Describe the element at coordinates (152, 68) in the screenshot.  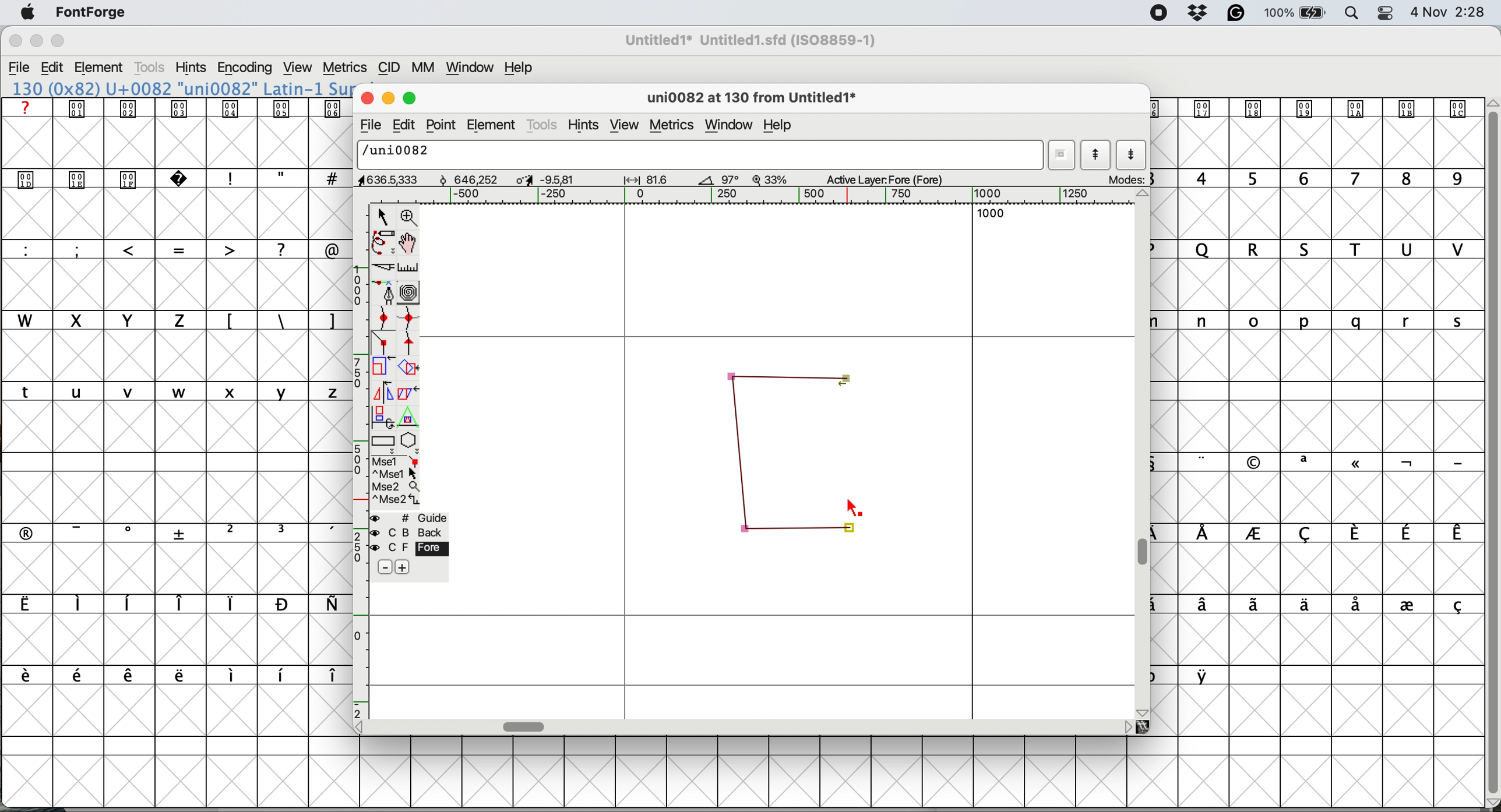
I see `tools` at that location.